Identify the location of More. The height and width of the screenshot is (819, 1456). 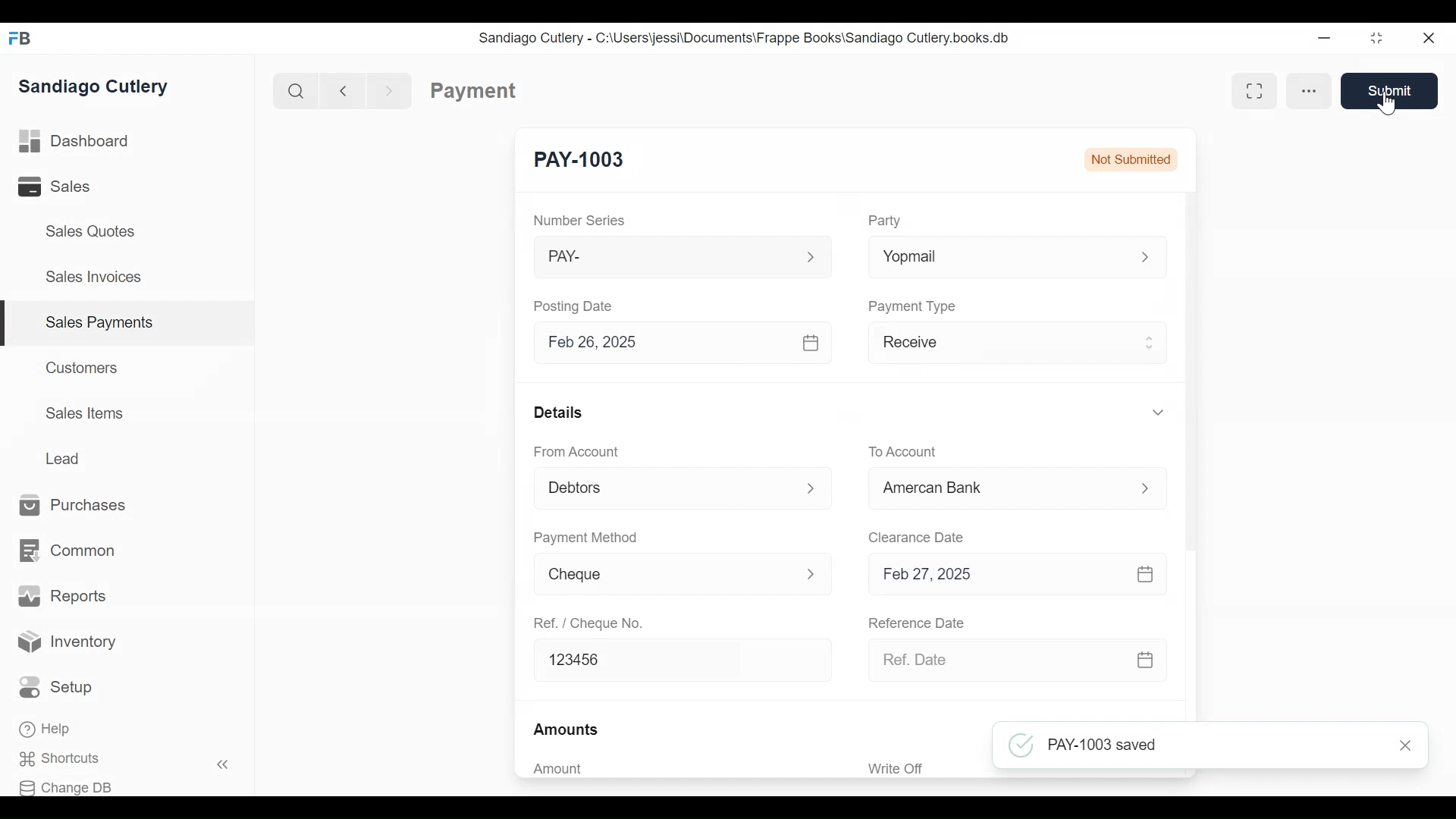
(1310, 91).